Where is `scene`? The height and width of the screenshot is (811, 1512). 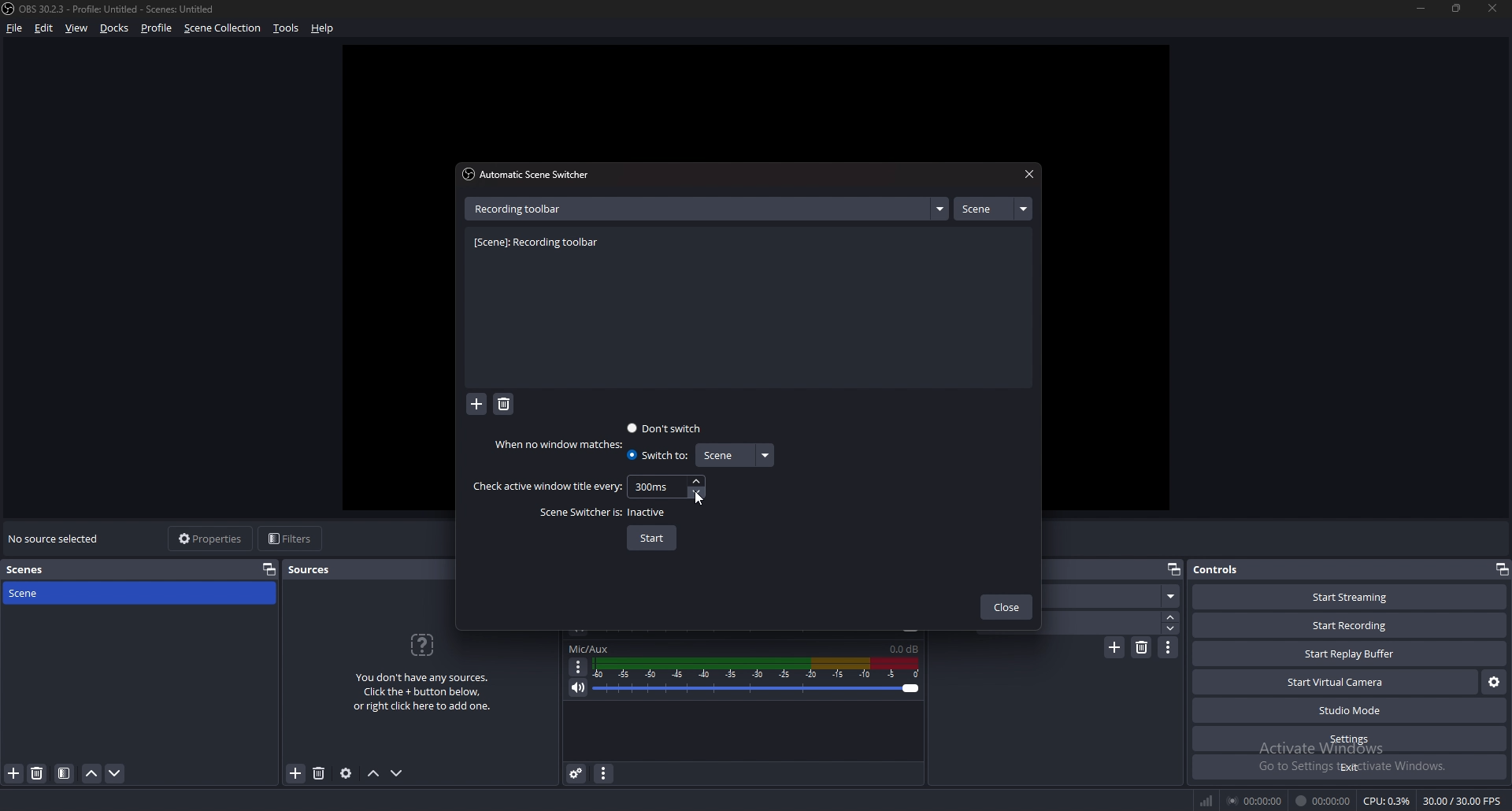 scene is located at coordinates (42, 592).